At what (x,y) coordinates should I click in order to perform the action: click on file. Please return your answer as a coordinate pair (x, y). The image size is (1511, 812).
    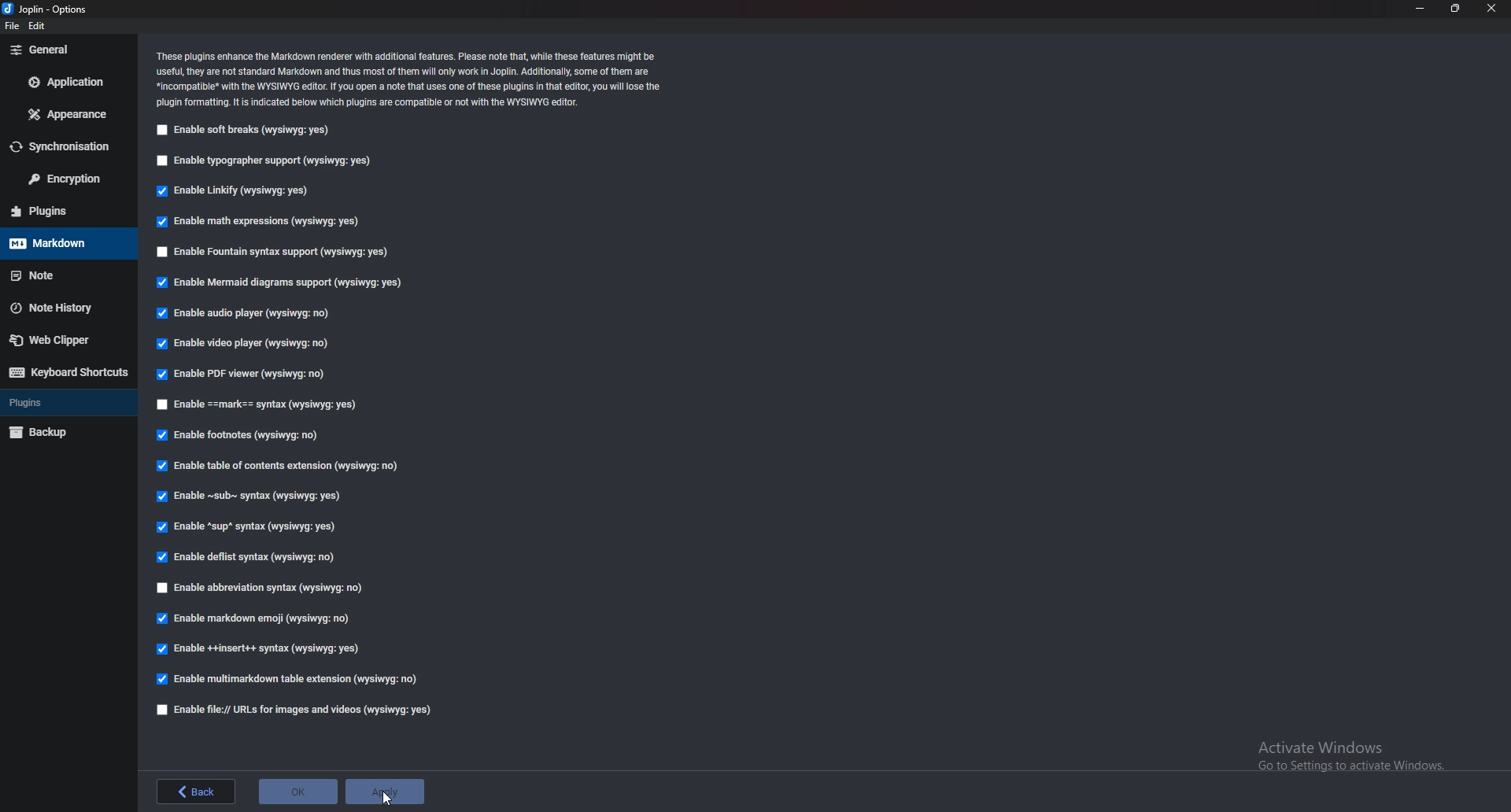
    Looking at the image, I should click on (11, 26).